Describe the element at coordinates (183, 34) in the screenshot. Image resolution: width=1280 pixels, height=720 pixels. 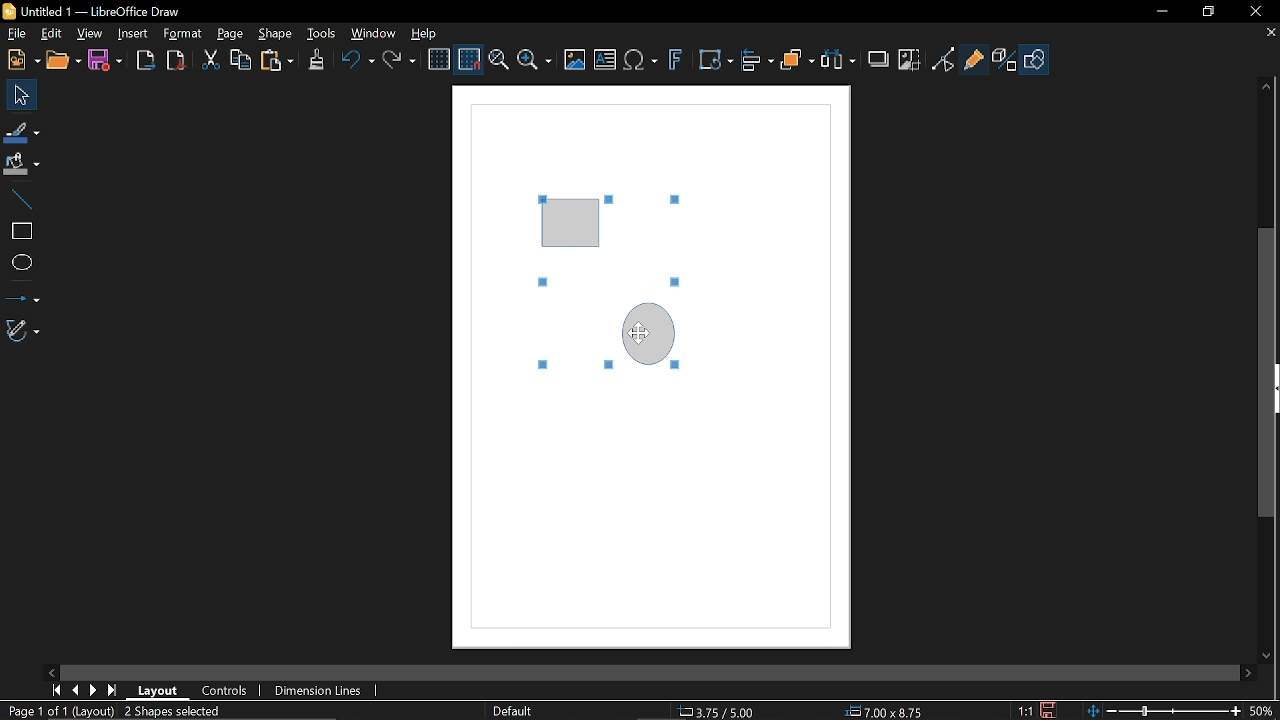
I see `Format` at that location.